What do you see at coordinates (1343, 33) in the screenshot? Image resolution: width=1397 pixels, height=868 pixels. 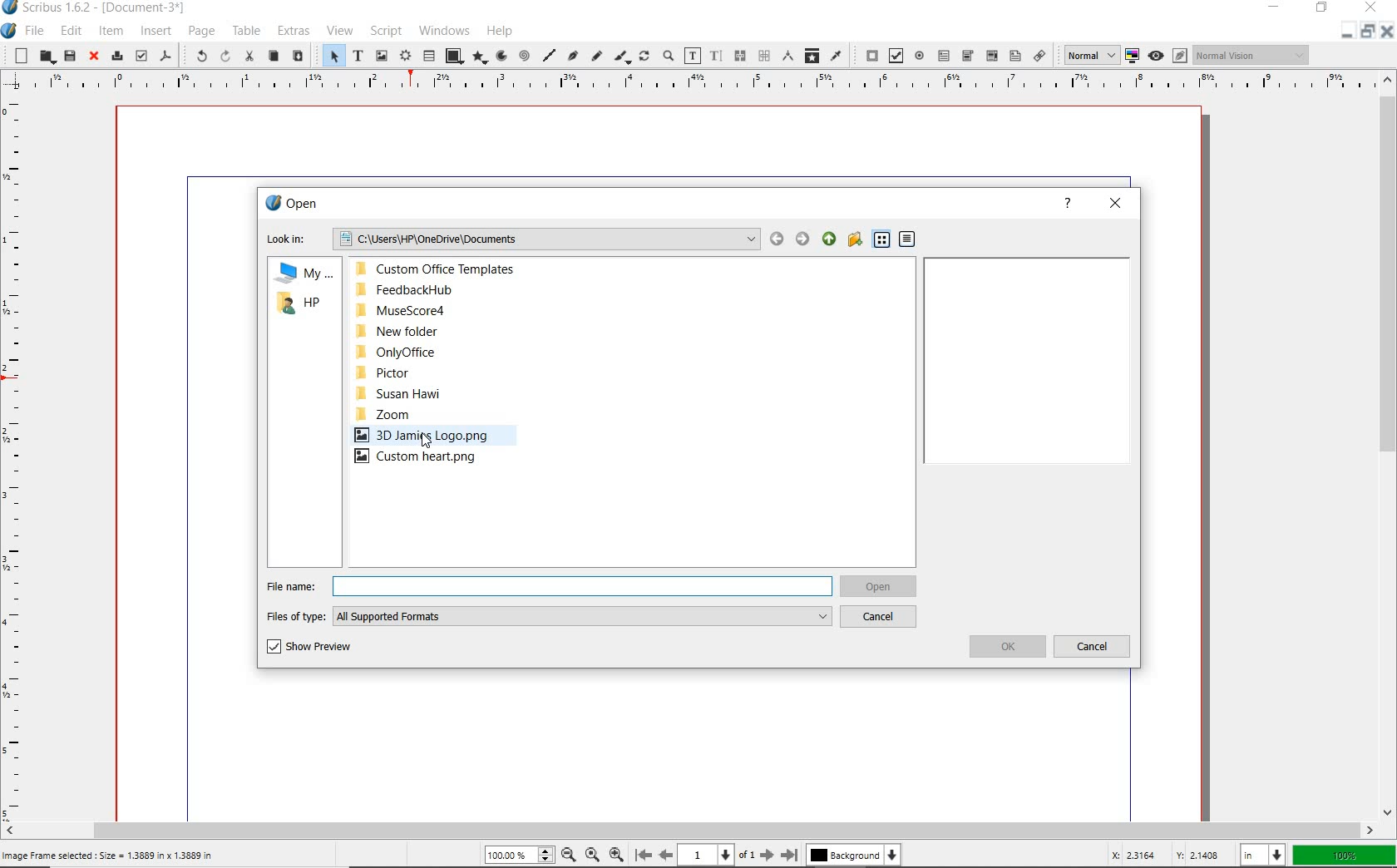 I see `minimize` at bounding box center [1343, 33].